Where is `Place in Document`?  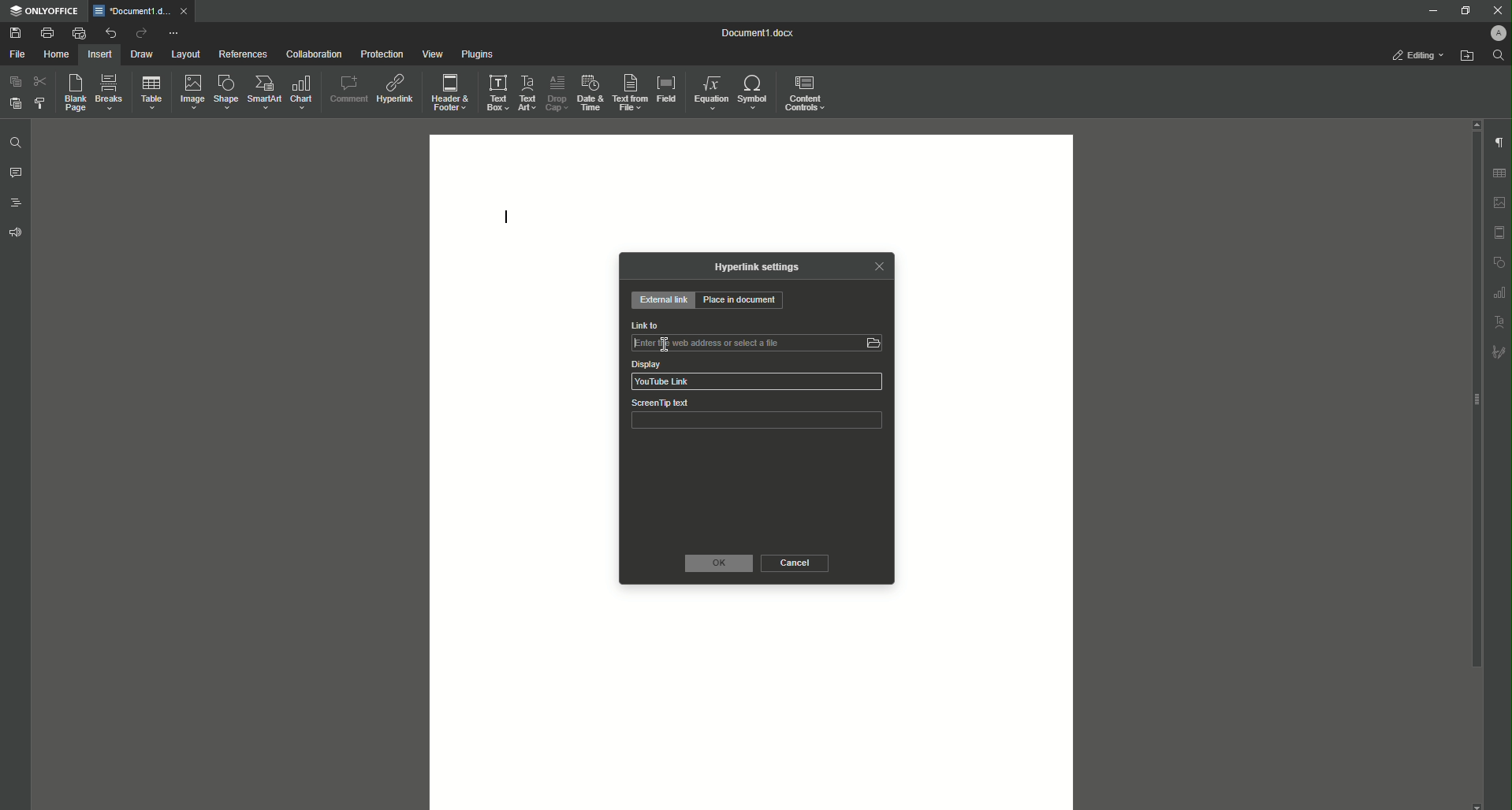
Place in Document is located at coordinates (746, 301).